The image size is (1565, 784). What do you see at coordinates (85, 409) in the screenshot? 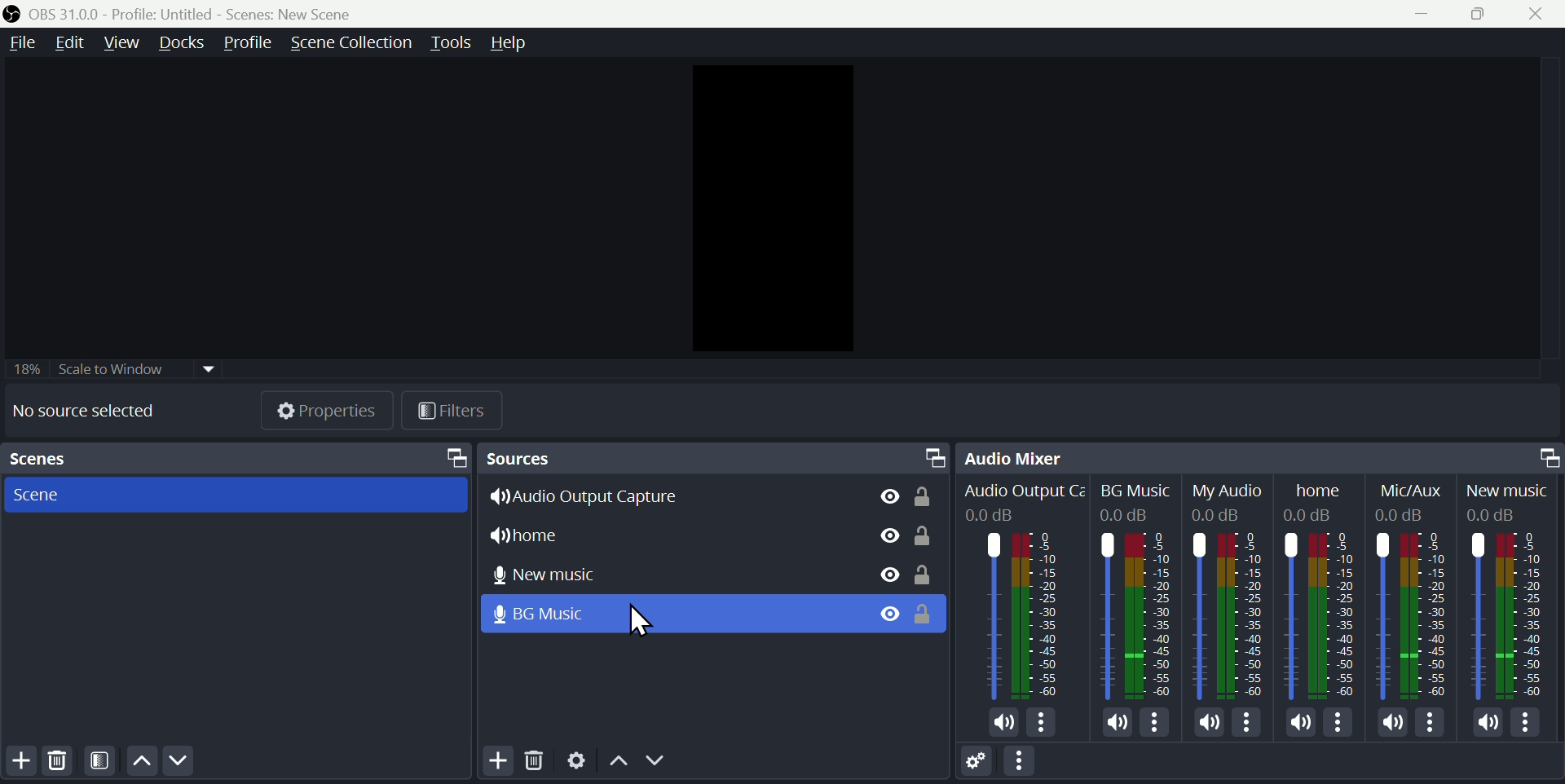
I see `No source selected` at bounding box center [85, 409].